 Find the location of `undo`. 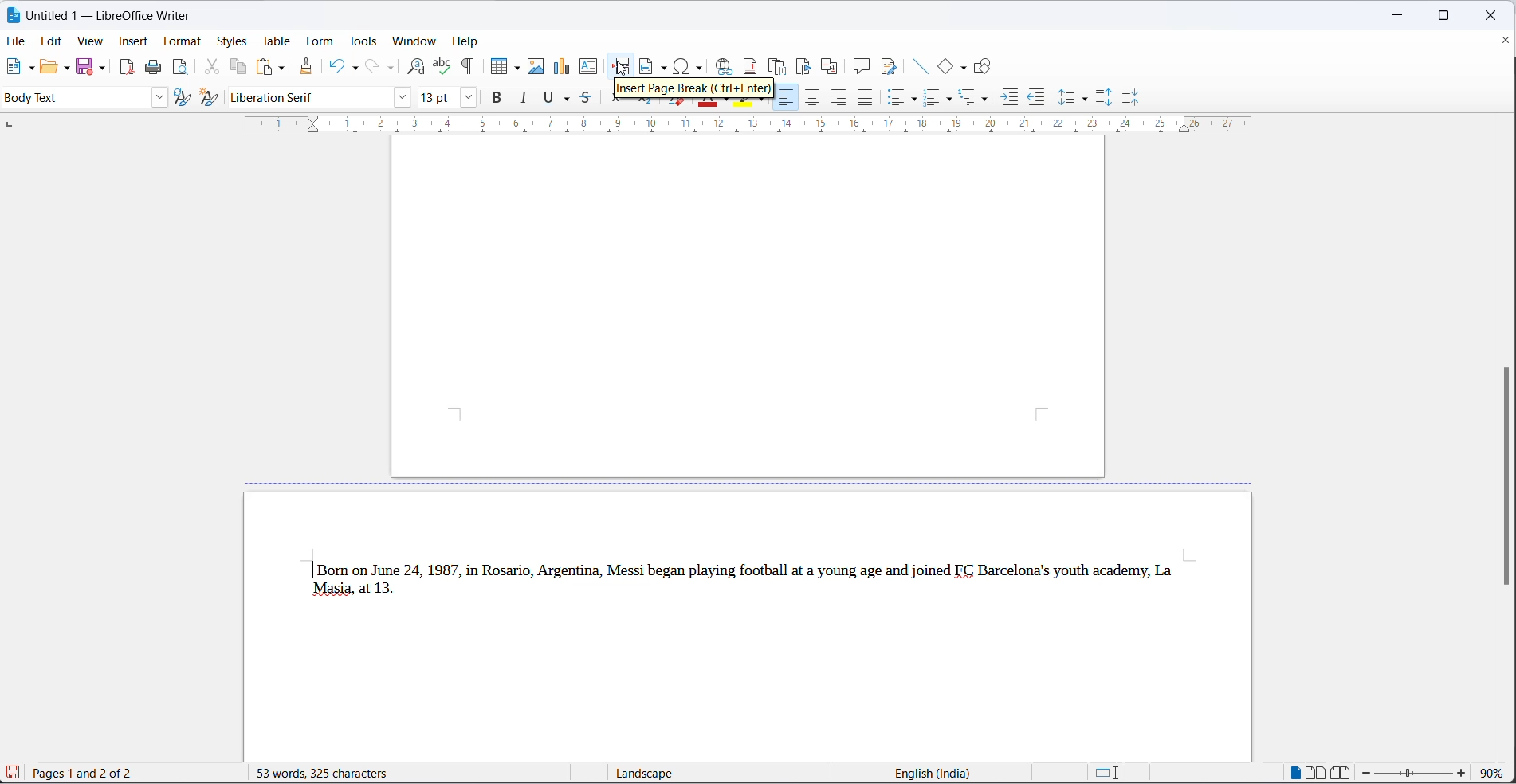

undo is located at coordinates (334, 67).